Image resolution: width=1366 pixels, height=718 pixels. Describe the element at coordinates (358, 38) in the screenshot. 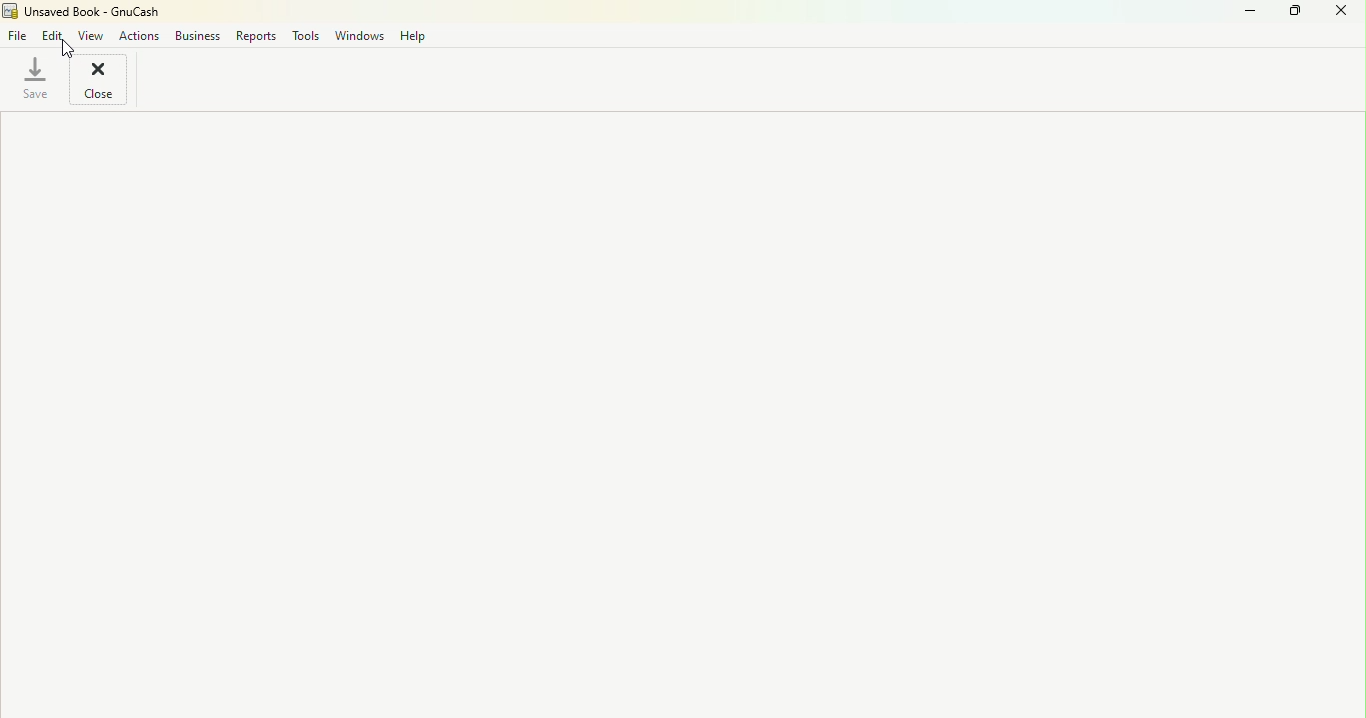

I see `Windows` at that location.